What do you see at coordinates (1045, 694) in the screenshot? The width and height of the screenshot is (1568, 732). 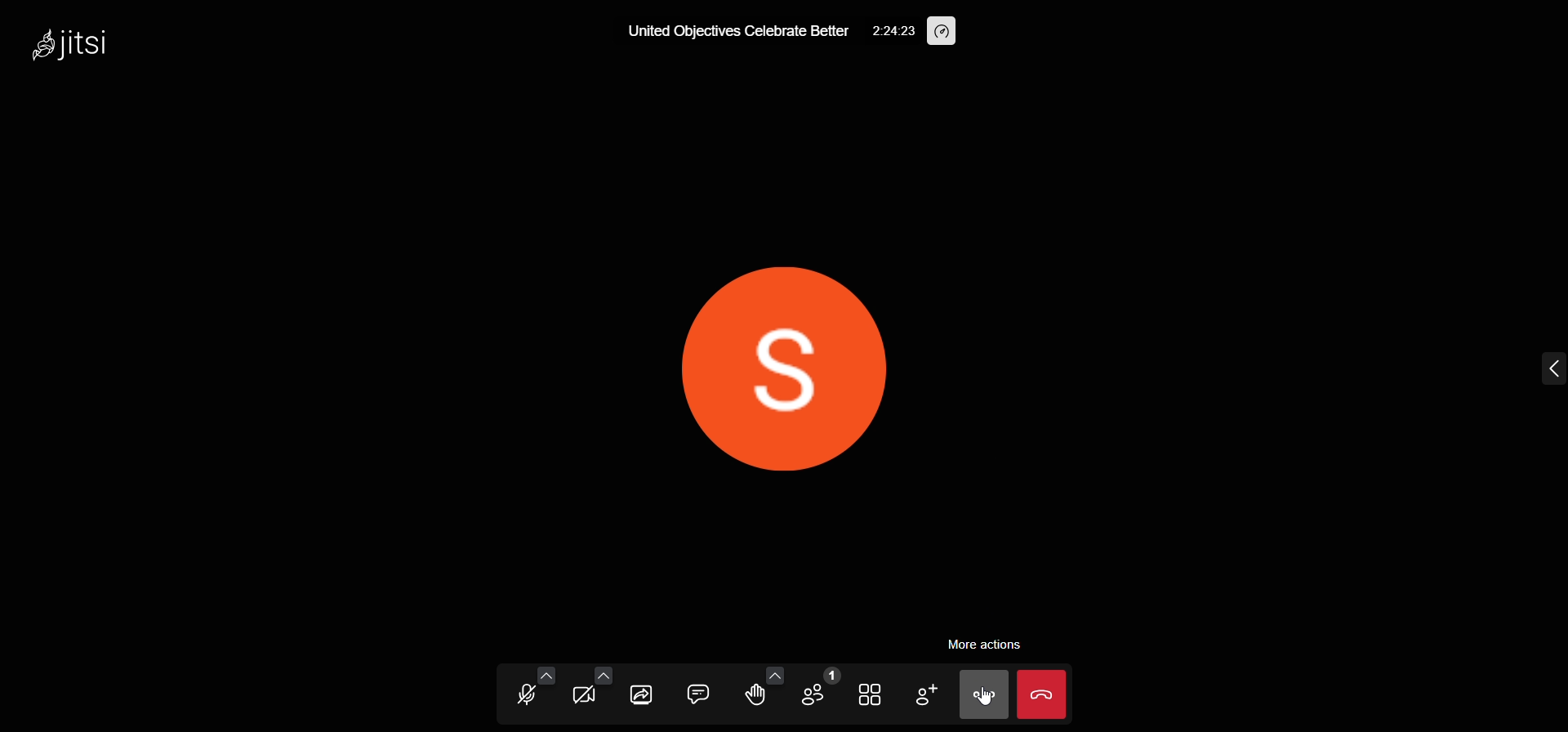 I see `leave meeting` at bounding box center [1045, 694].